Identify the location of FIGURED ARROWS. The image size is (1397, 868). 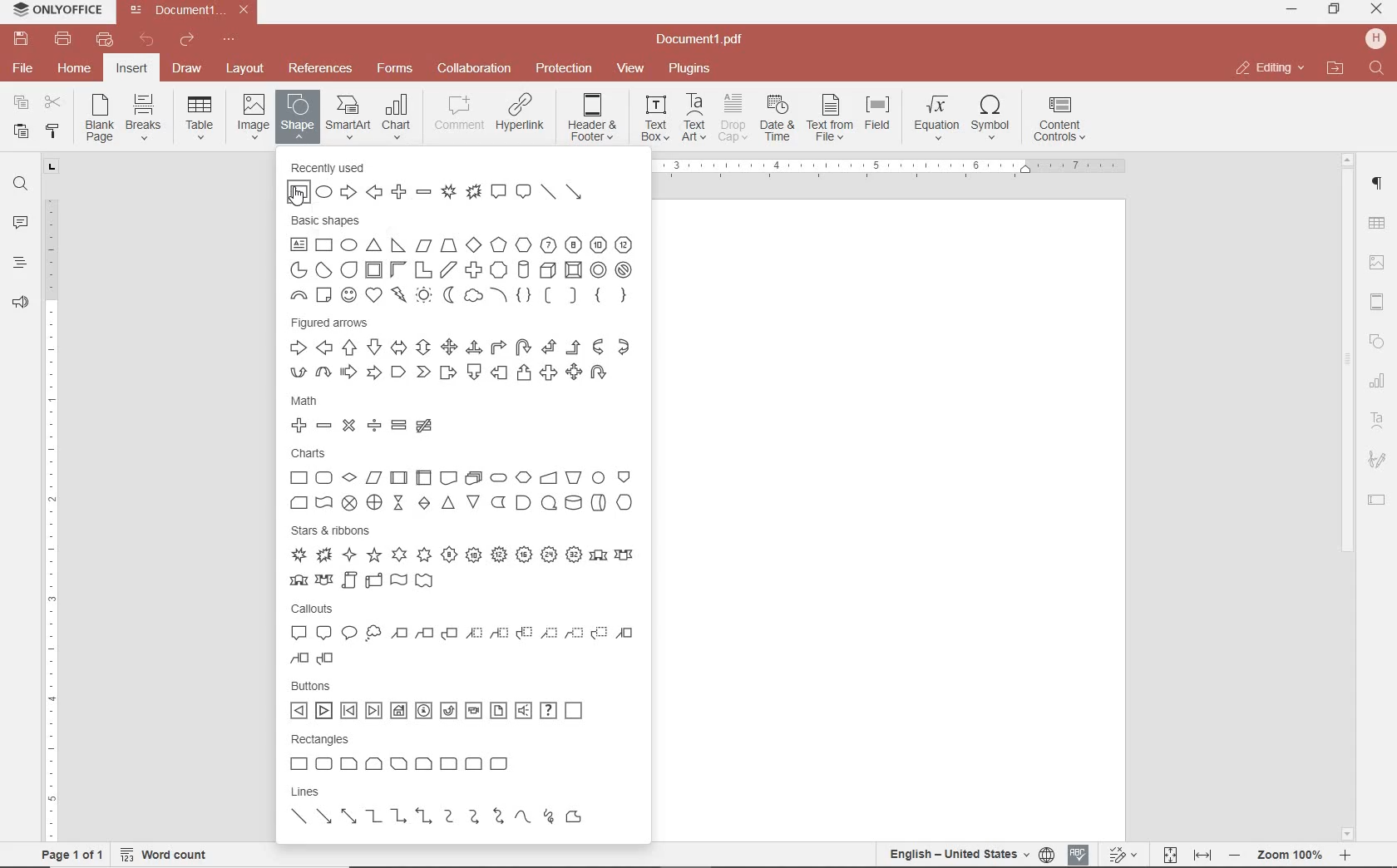
(461, 350).